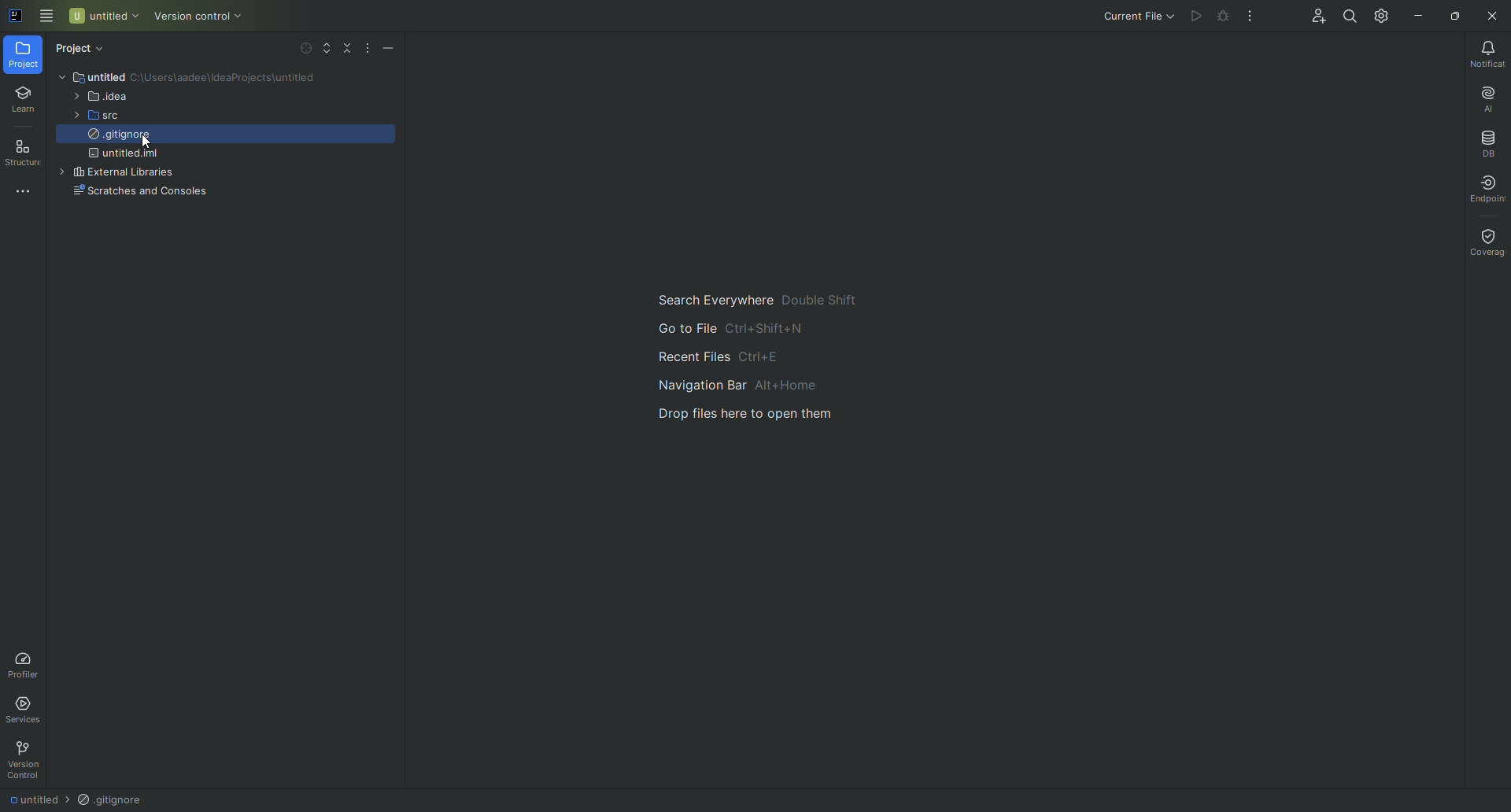 This screenshot has width=1511, height=812. I want to click on Untitled, so click(104, 15).